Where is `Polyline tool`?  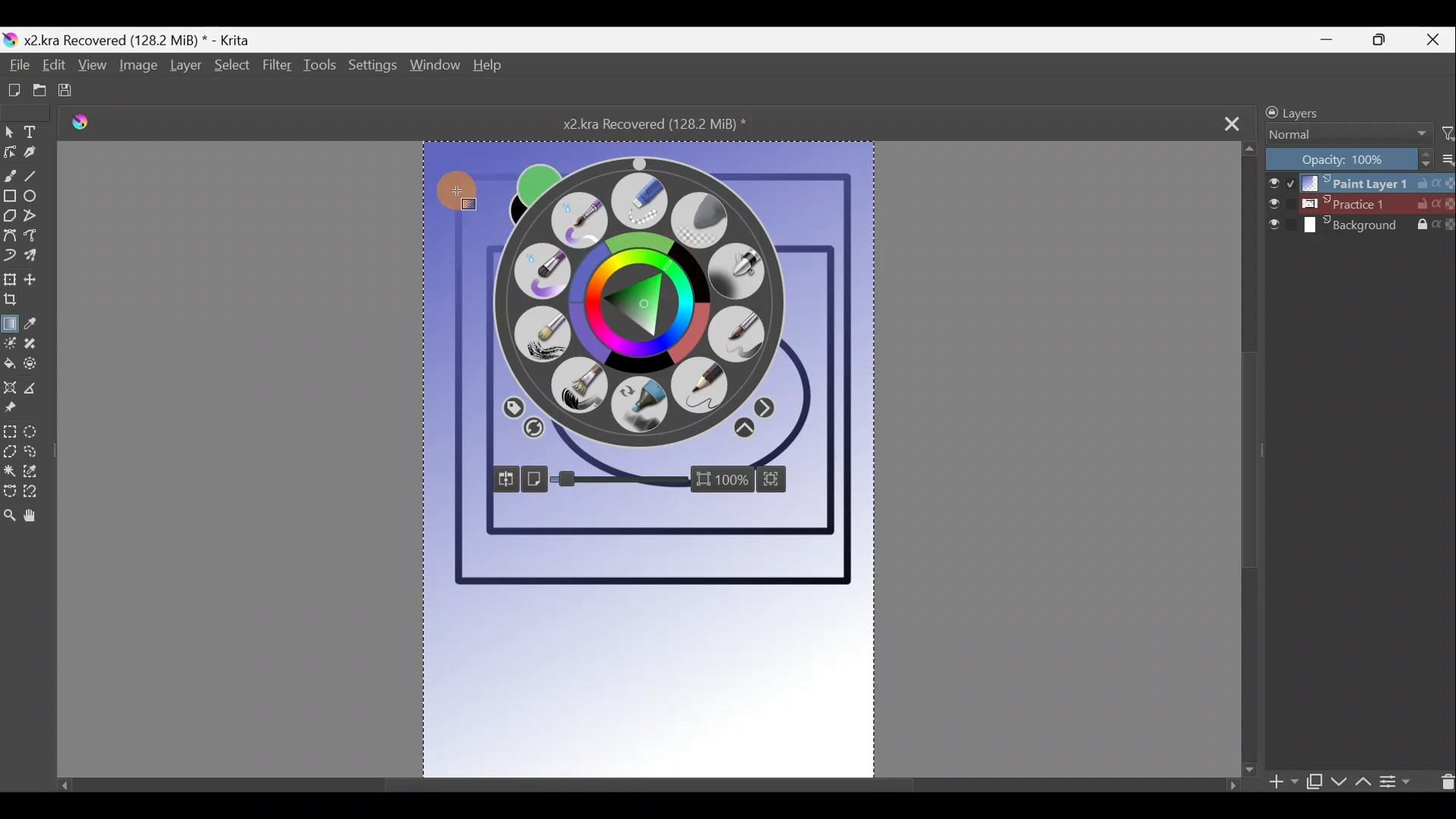
Polyline tool is located at coordinates (37, 218).